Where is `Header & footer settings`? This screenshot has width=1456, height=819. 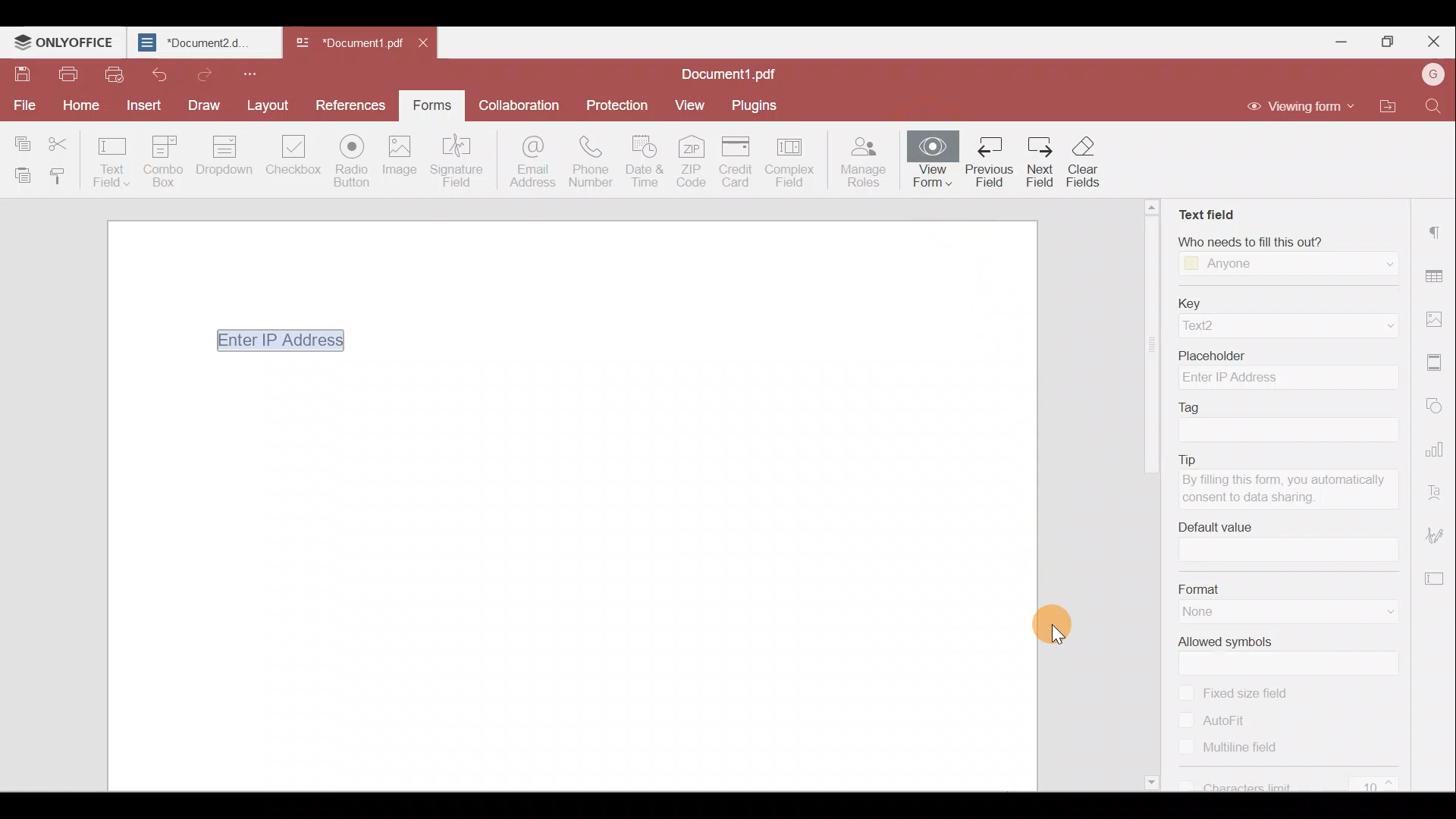 Header & footer settings is located at coordinates (1437, 362).